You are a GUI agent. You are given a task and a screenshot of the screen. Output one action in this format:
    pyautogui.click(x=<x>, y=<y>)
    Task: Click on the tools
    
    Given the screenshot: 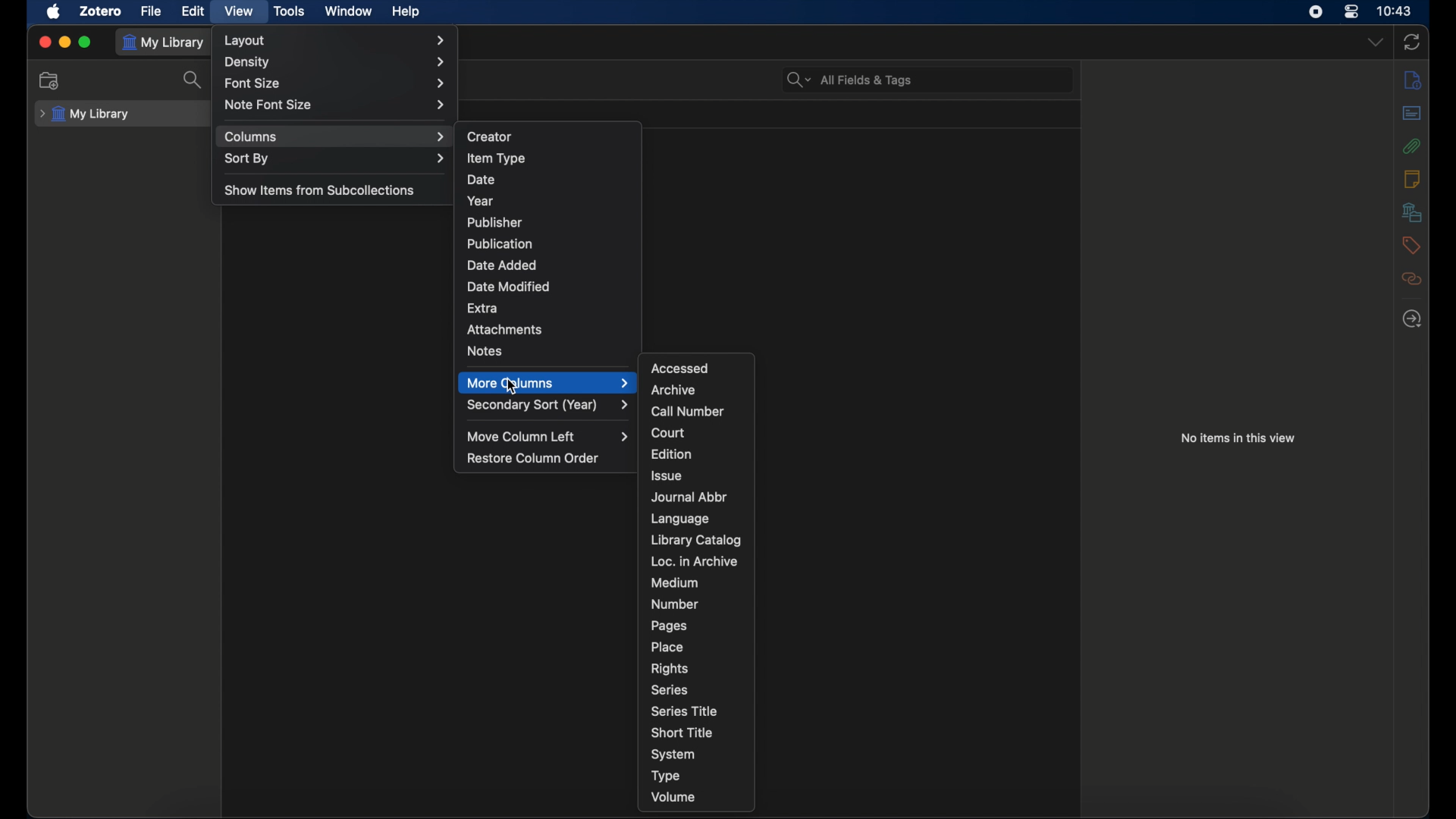 What is the action you would take?
    pyautogui.click(x=290, y=11)
    